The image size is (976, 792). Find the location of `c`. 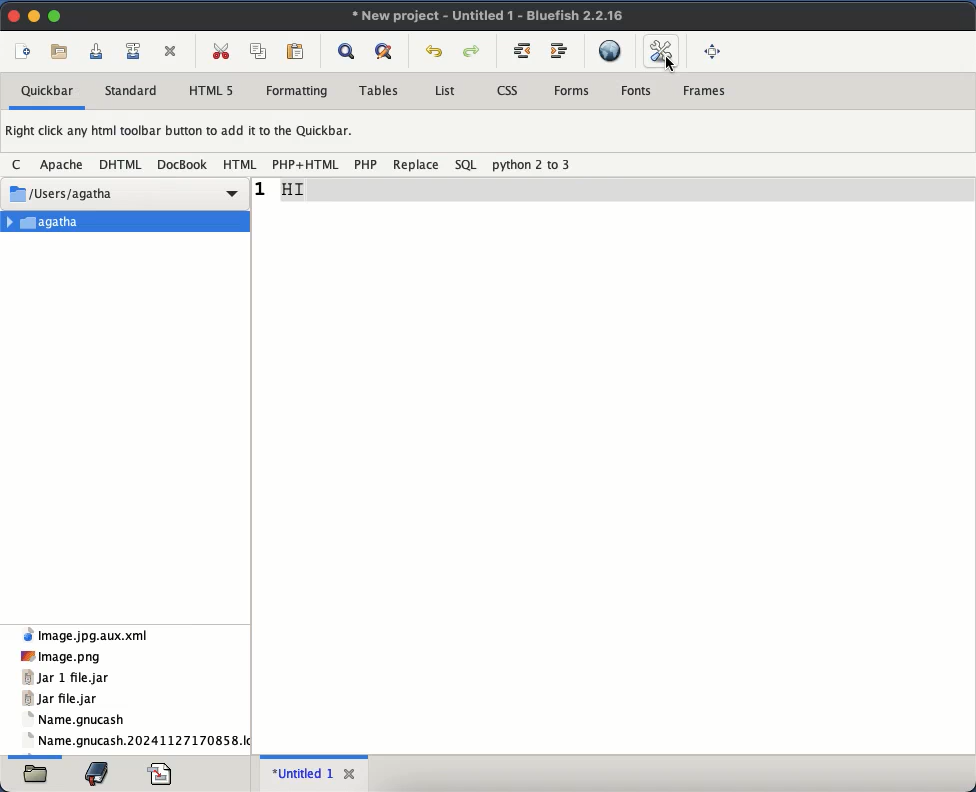

c is located at coordinates (18, 165).